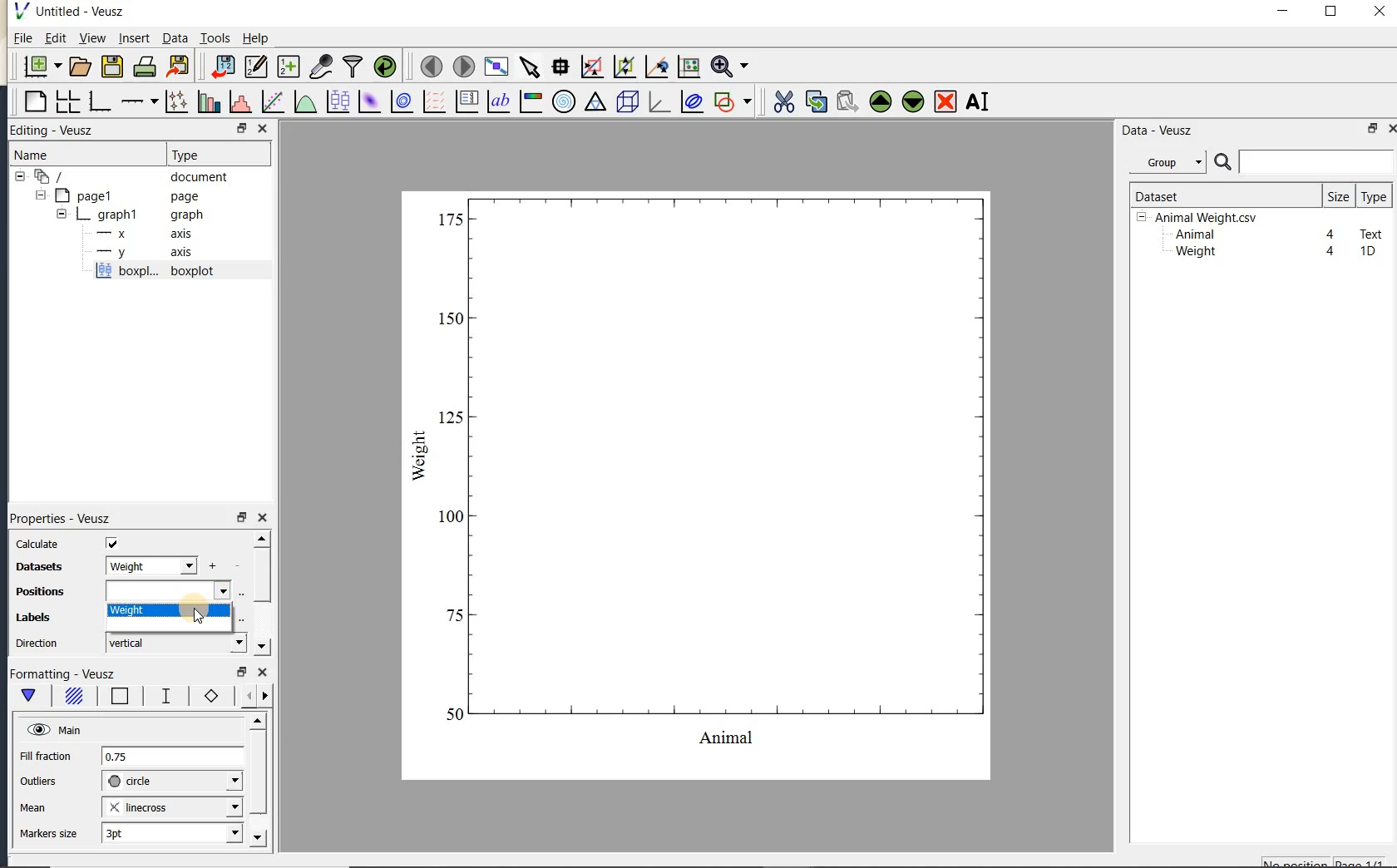 The width and height of the screenshot is (1397, 868). I want to click on plot a vector field, so click(432, 102).